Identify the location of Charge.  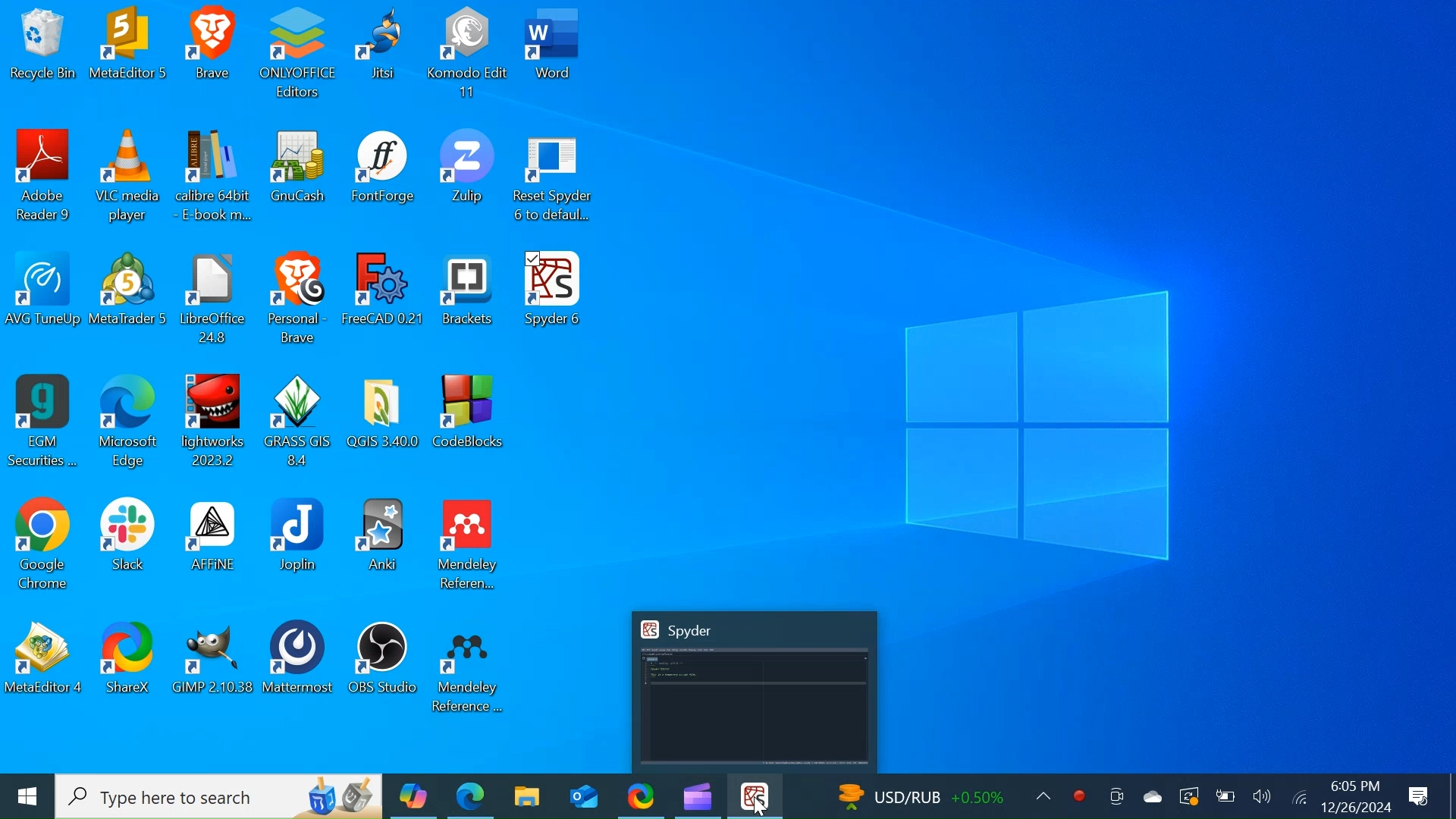
(1225, 796).